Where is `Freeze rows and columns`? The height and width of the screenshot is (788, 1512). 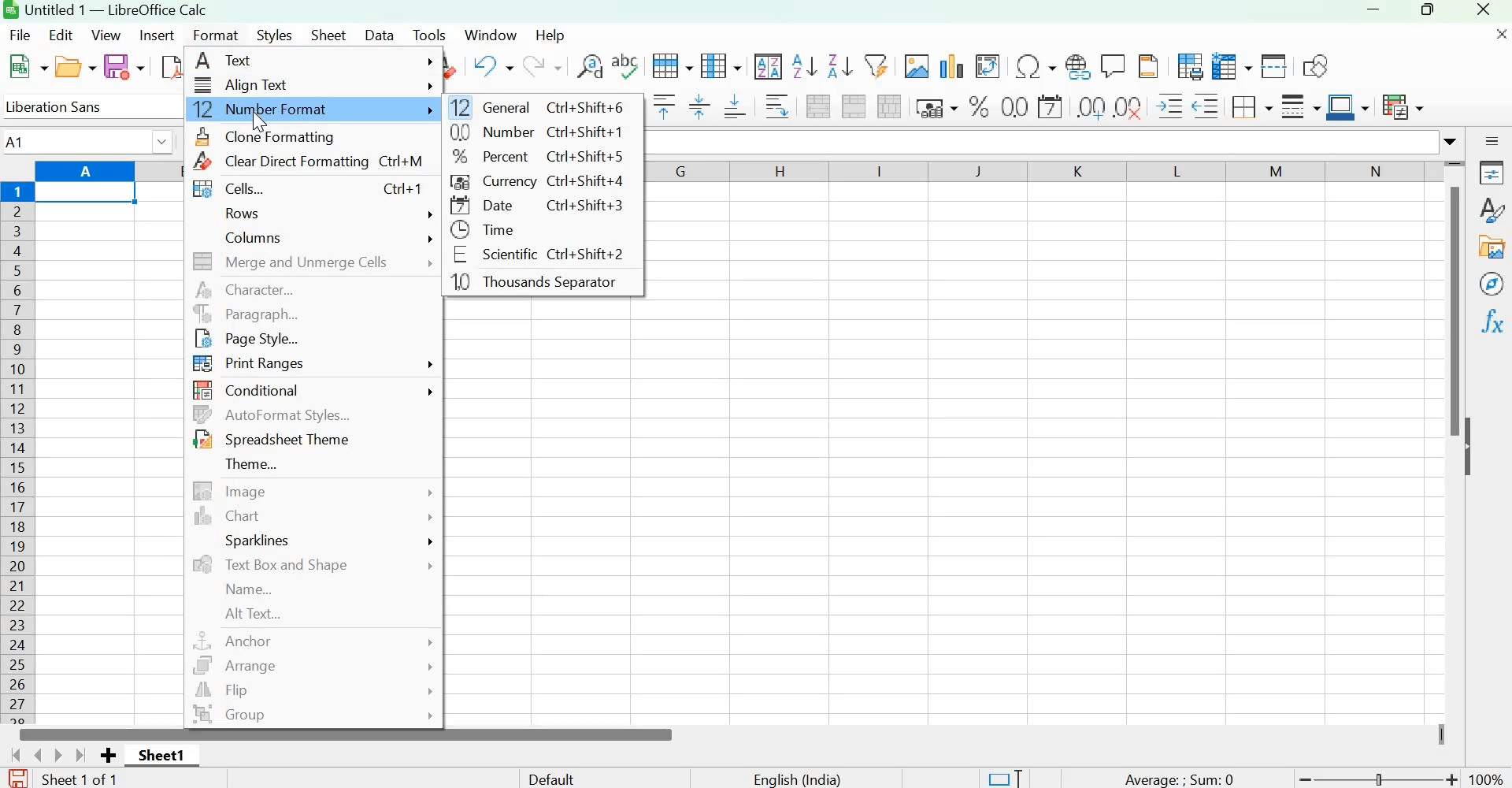 Freeze rows and columns is located at coordinates (1232, 66).